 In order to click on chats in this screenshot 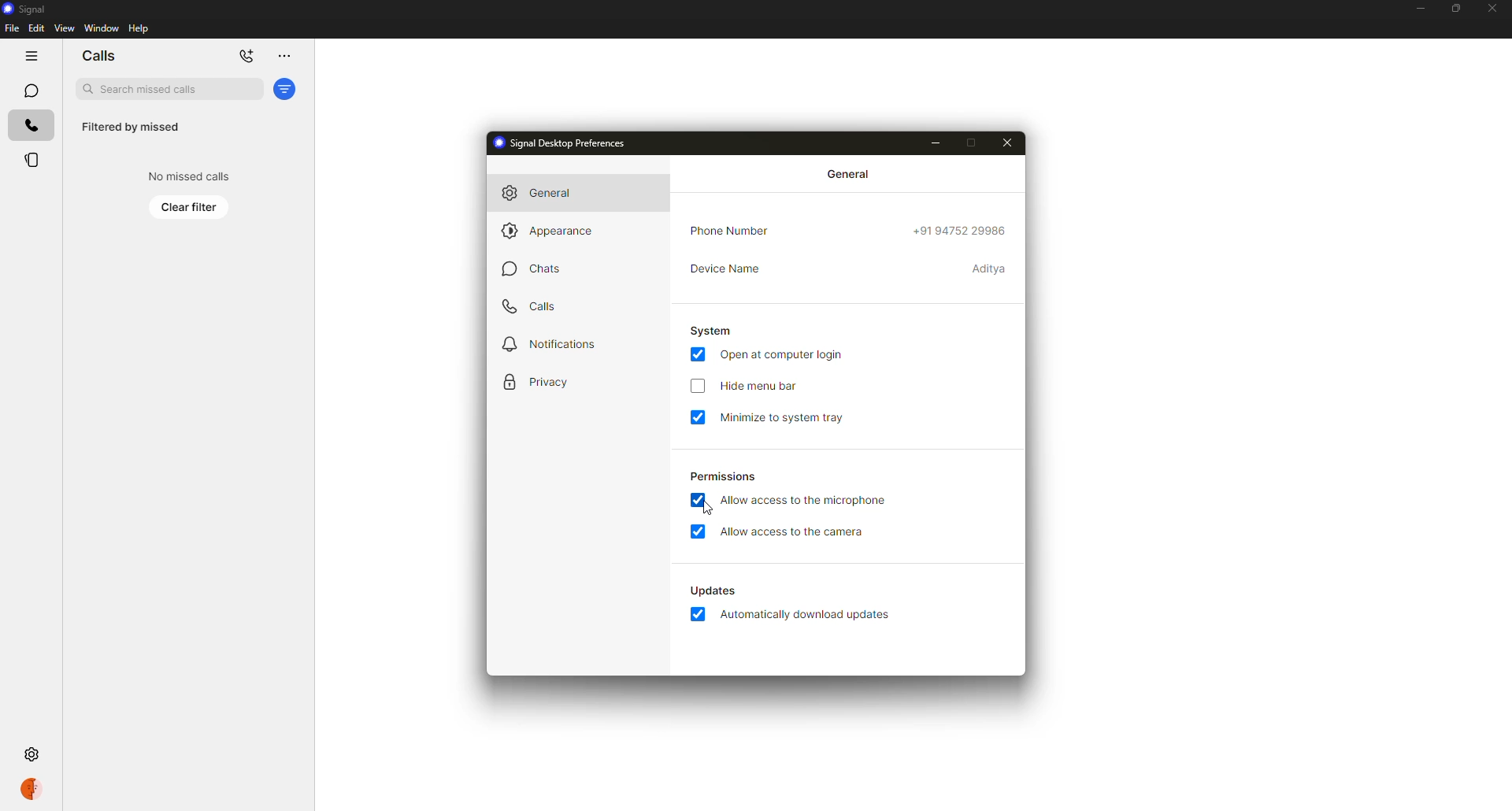, I will do `click(534, 268)`.